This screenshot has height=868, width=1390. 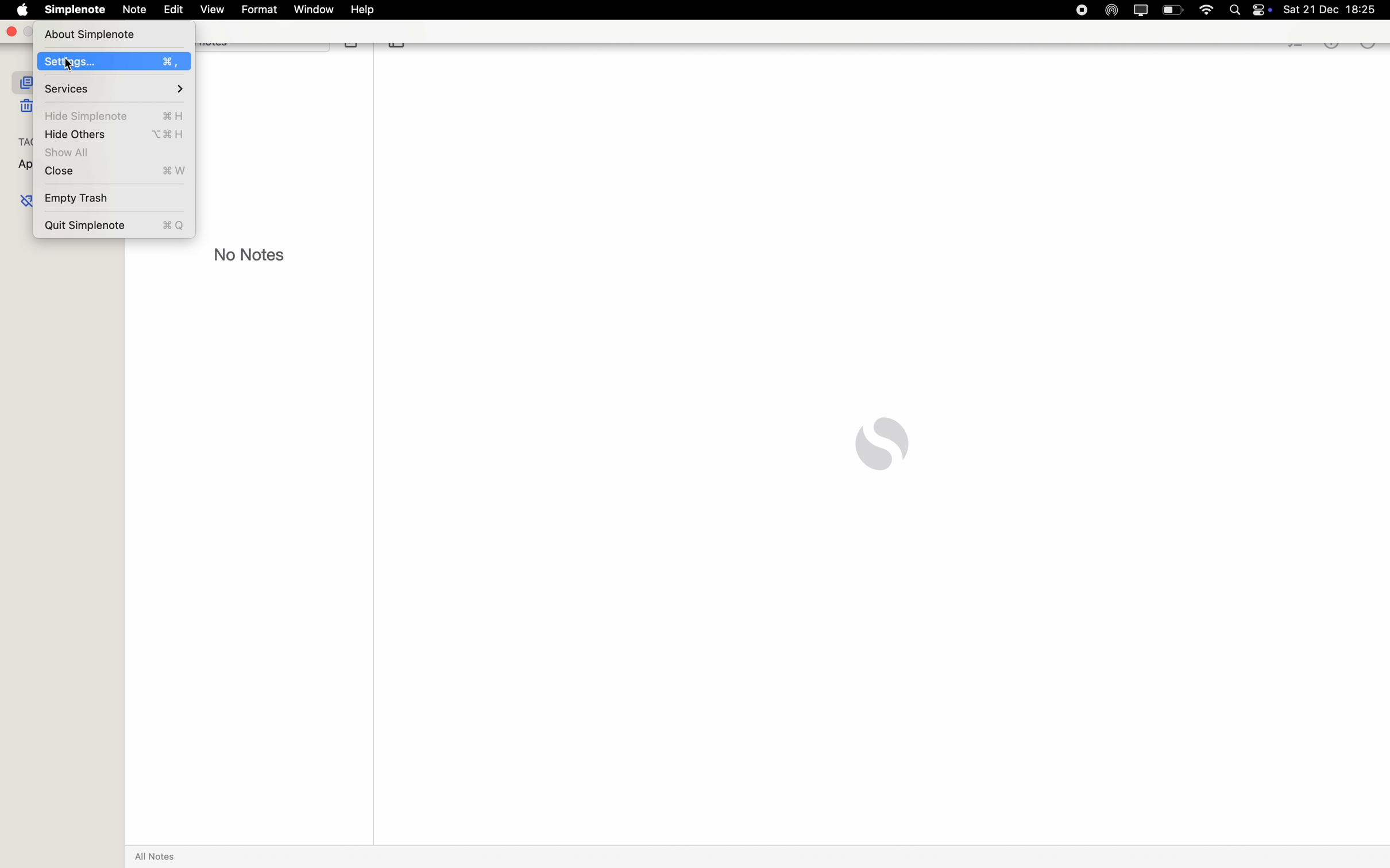 I want to click on all notes, so click(x=157, y=858).